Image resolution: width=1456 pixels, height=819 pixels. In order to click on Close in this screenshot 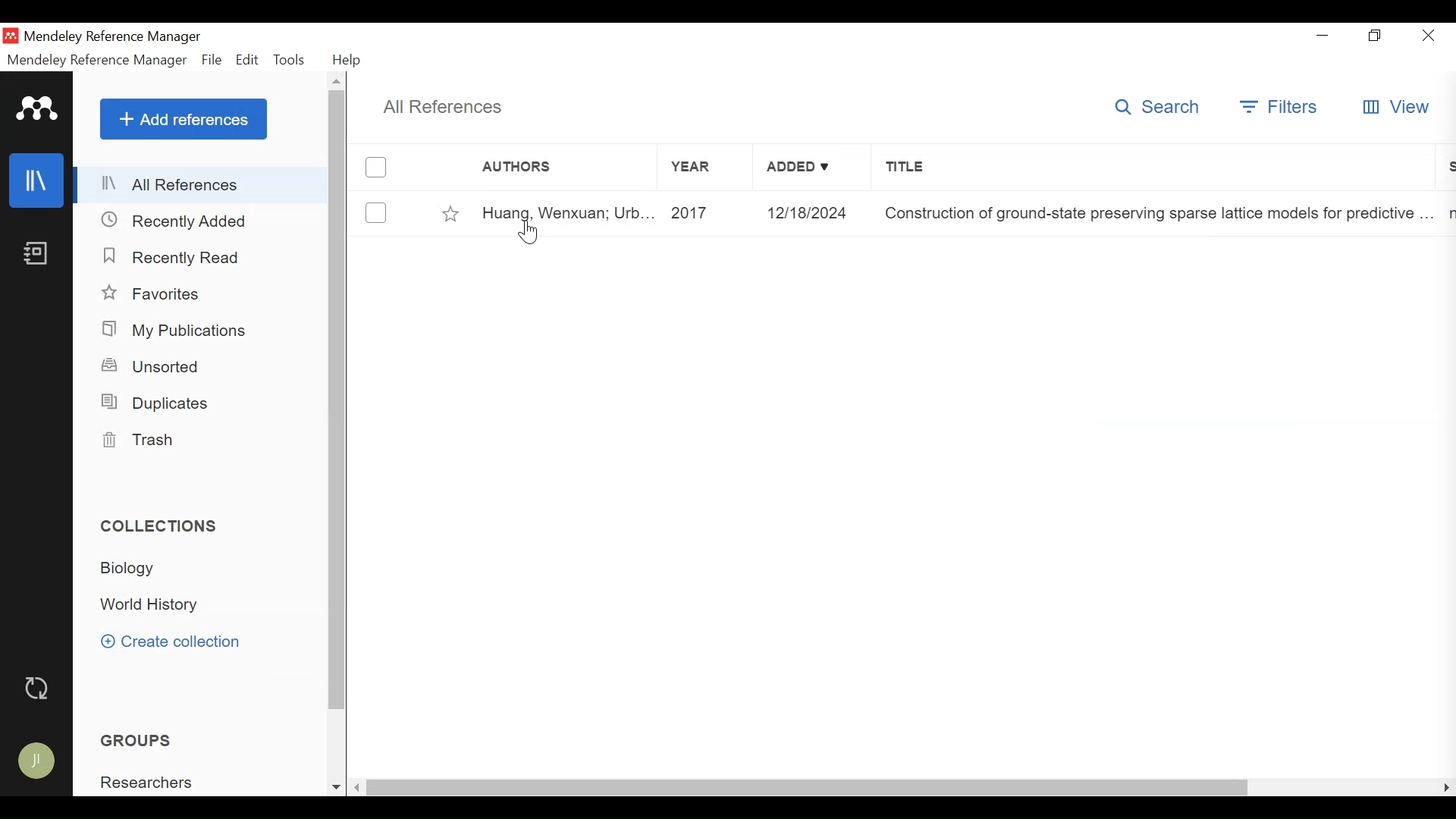, I will do `click(1425, 36)`.